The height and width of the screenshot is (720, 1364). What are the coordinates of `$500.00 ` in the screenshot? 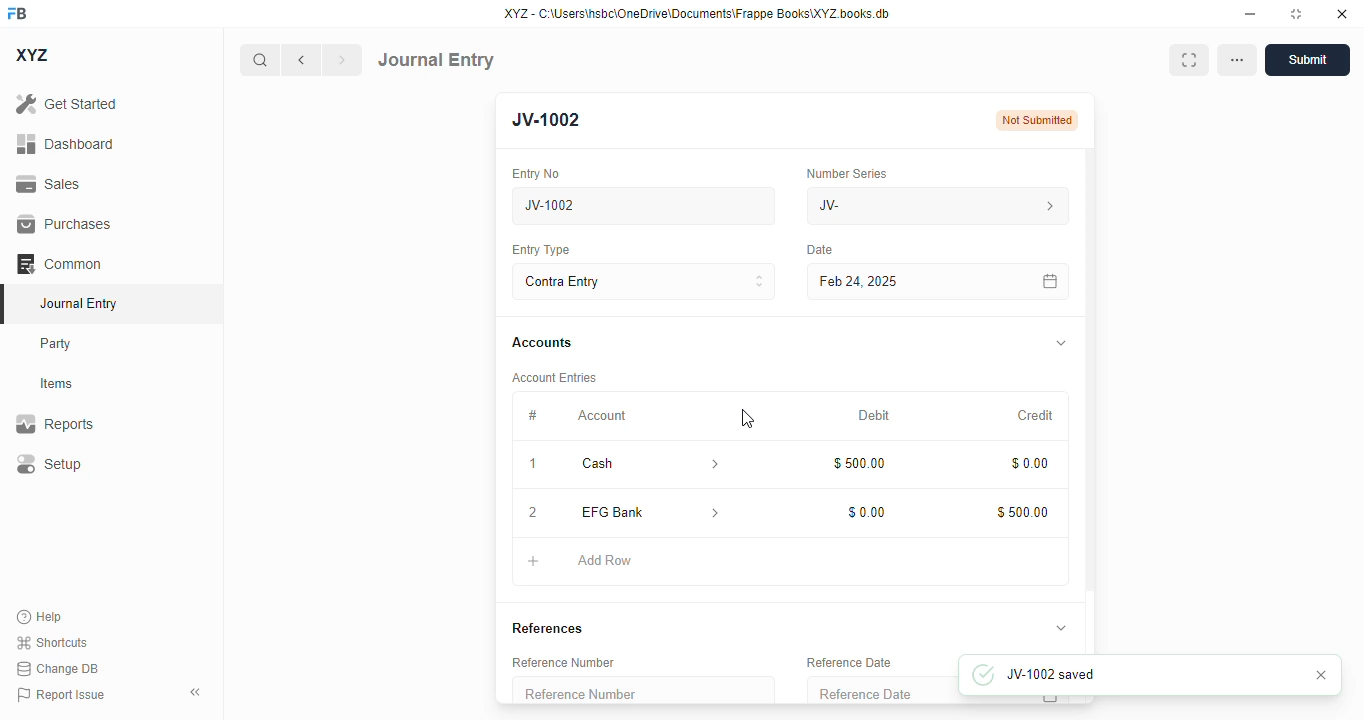 It's located at (860, 464).